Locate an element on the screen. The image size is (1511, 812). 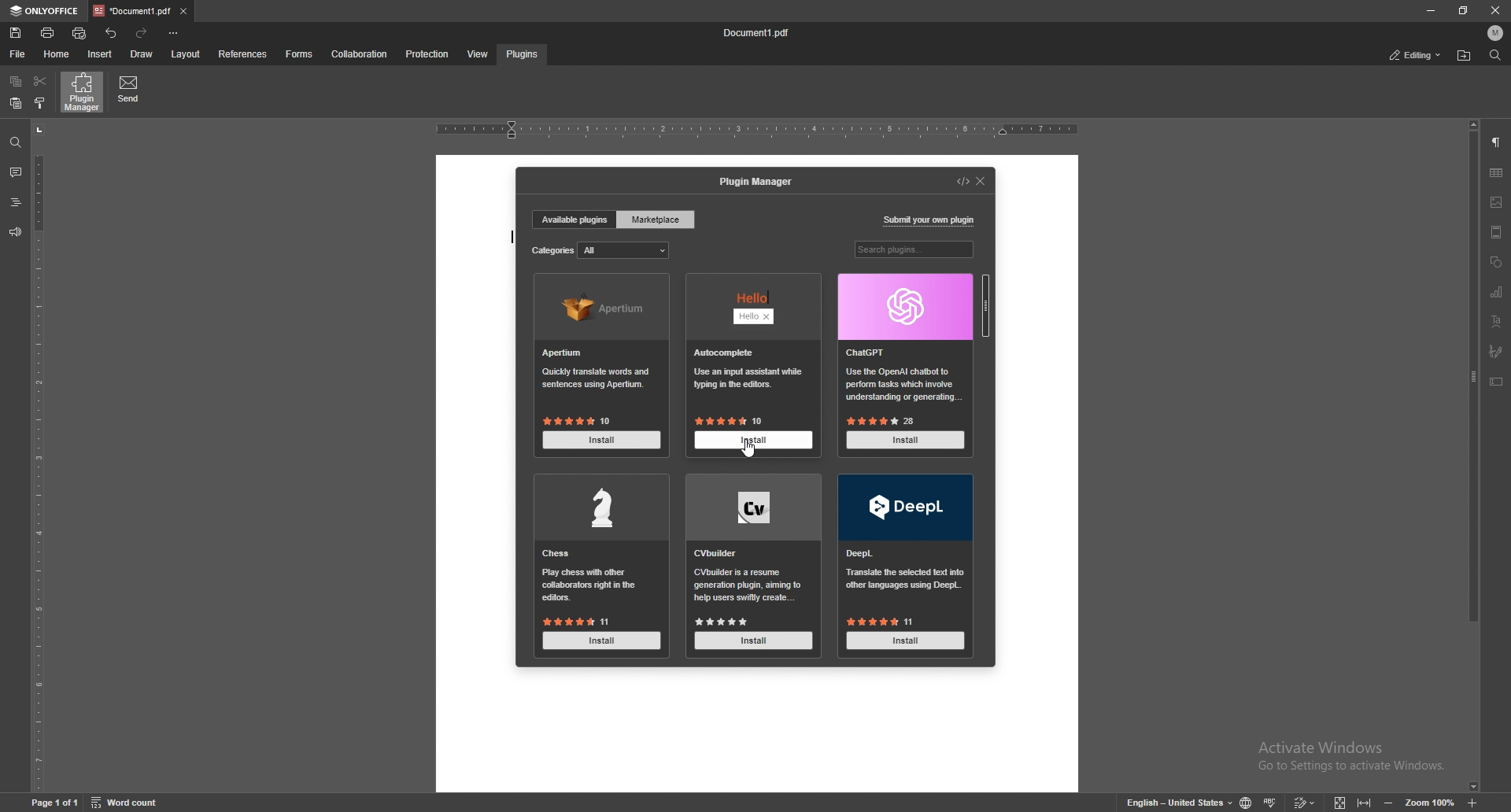
chatgpt is located at coordinates (903, 350).